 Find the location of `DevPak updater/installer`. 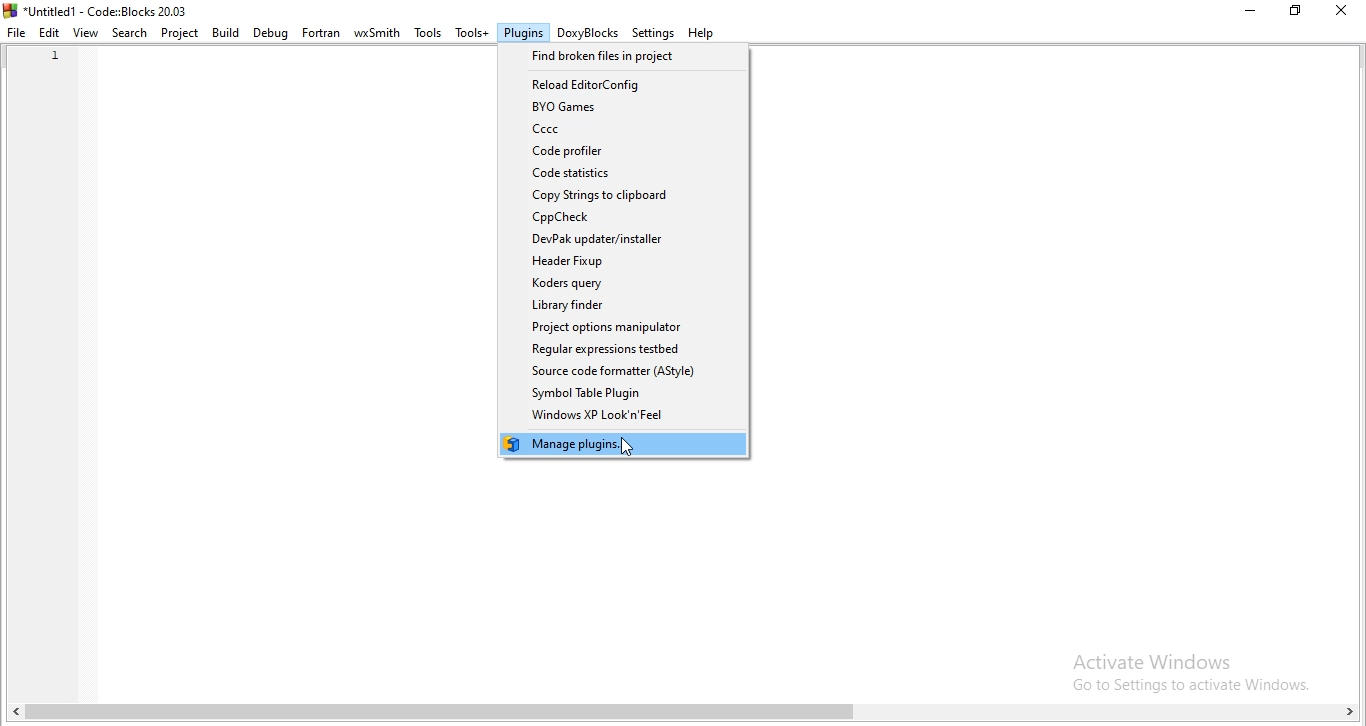

DevPak updater/installer is located at coordinates (623, 239).